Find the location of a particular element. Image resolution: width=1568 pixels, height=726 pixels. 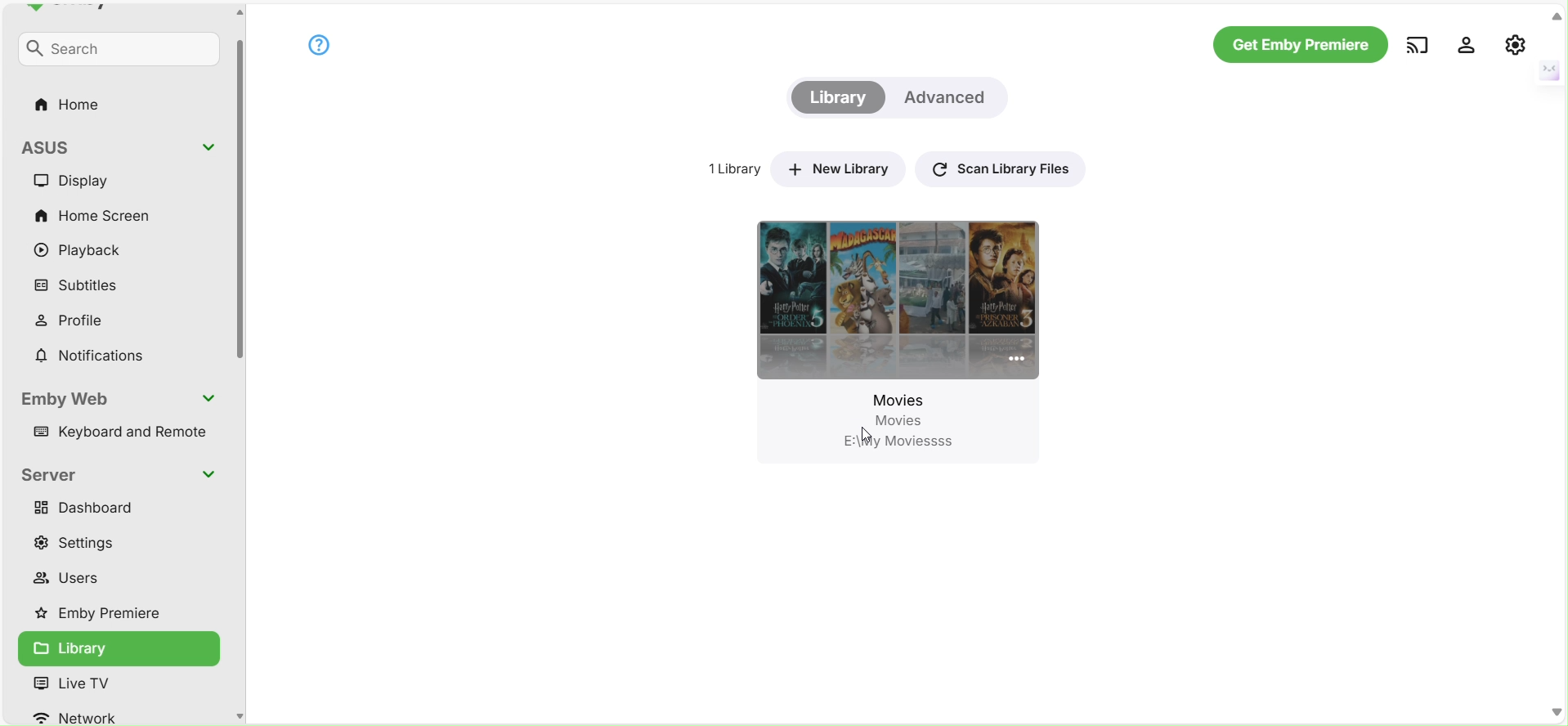

Number of Libraries in the current Library View is located at coordinates (732, 171).